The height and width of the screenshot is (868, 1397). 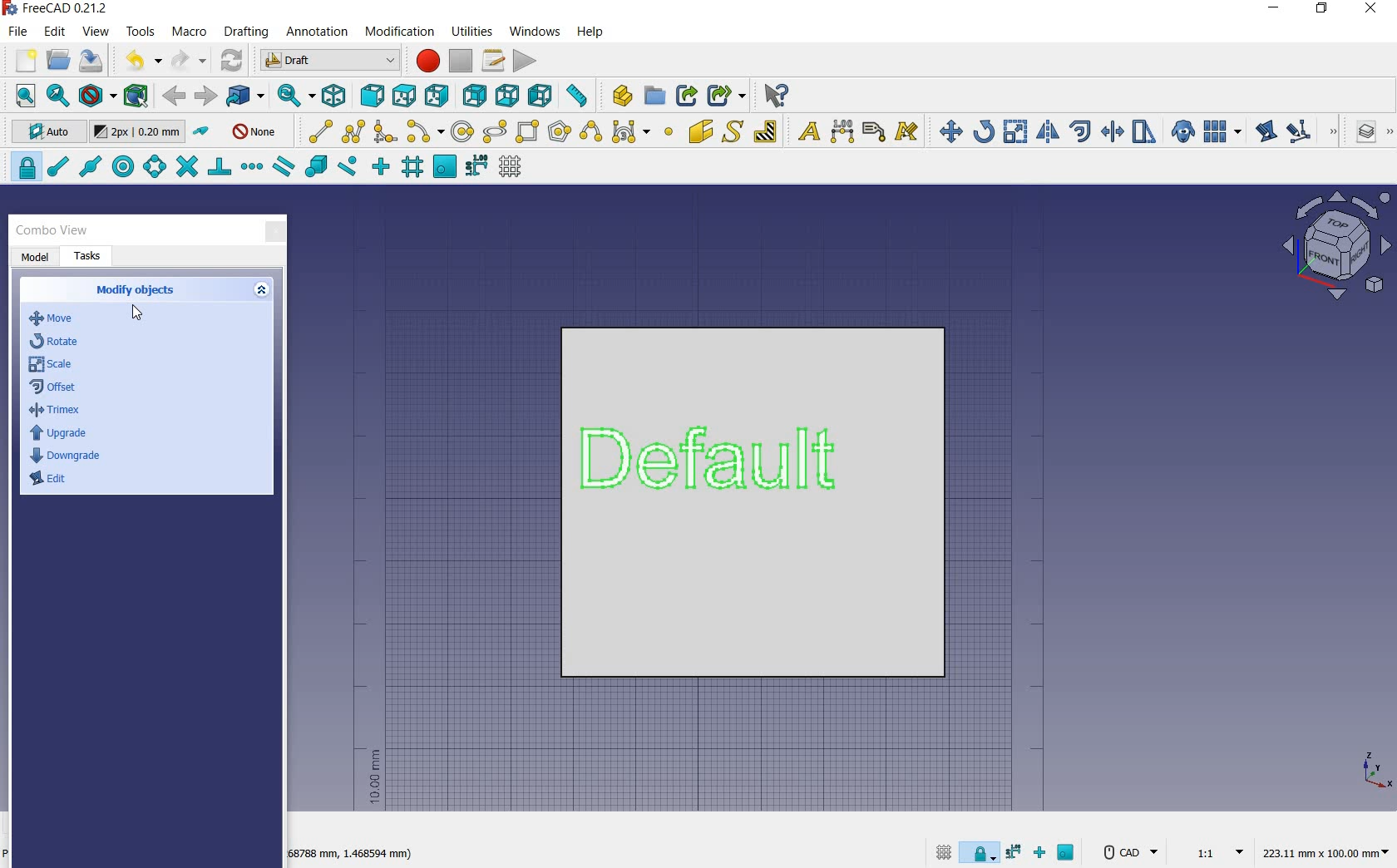 What do you see at coordinates (105, 259) in the screenshot?
I see `tasks` at bounding box center [105, 259].